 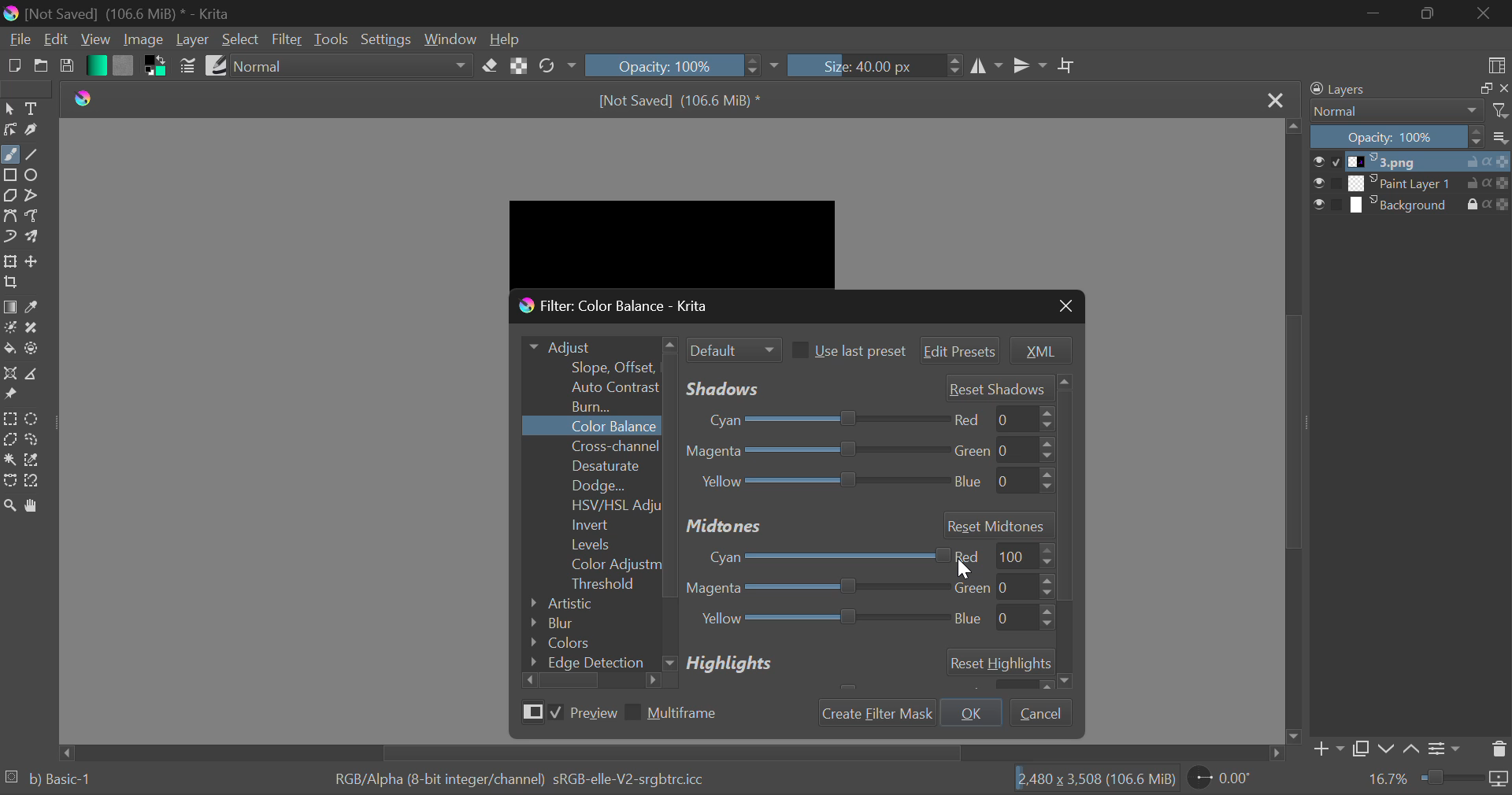 I want to click on Brush Settings, so click(x=188, y=65).